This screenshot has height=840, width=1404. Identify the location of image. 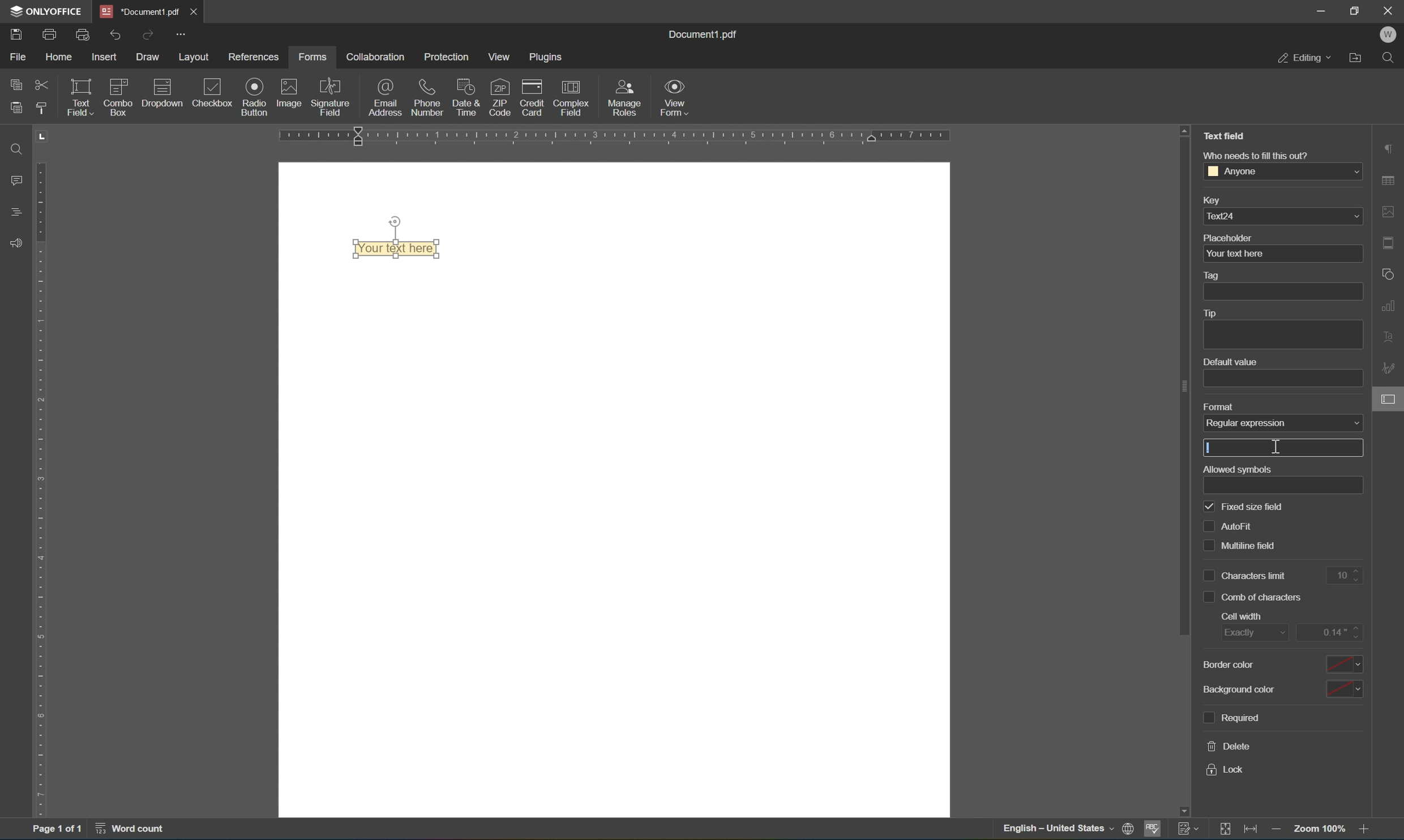
(290, 92).